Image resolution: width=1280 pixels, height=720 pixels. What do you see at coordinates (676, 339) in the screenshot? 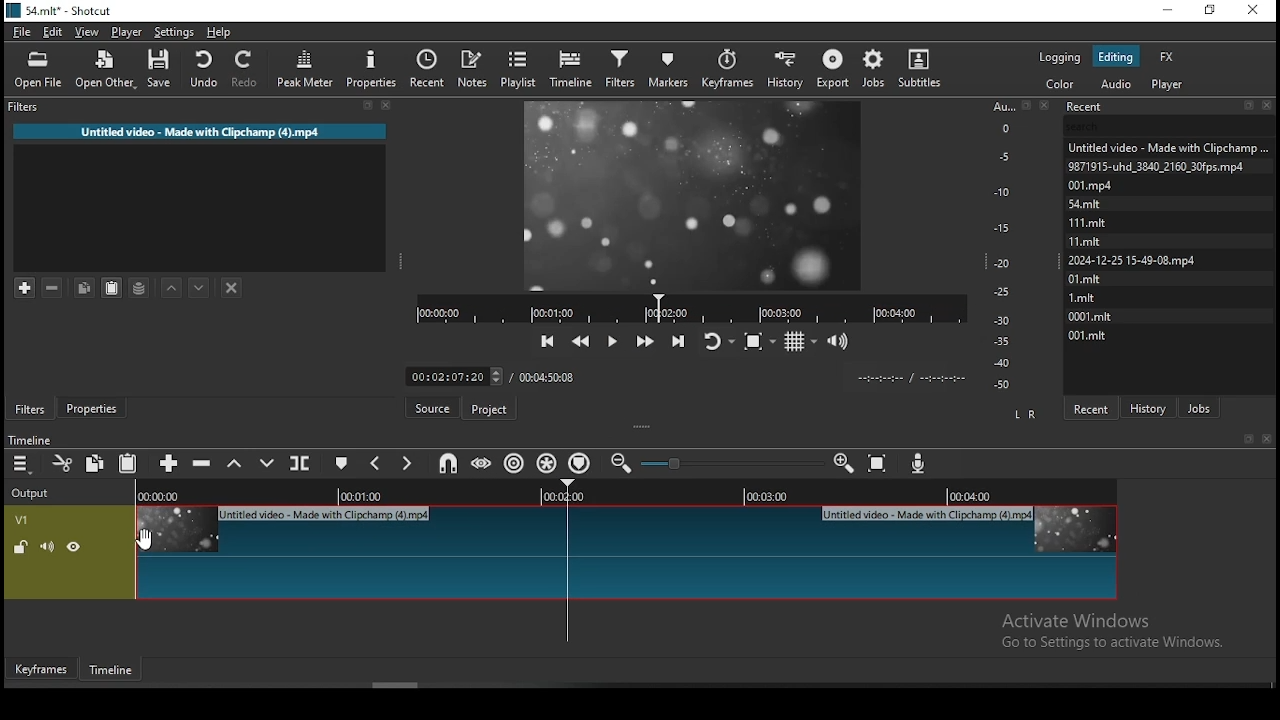
I see `skip to the next point` at bounding box center [676, 339].